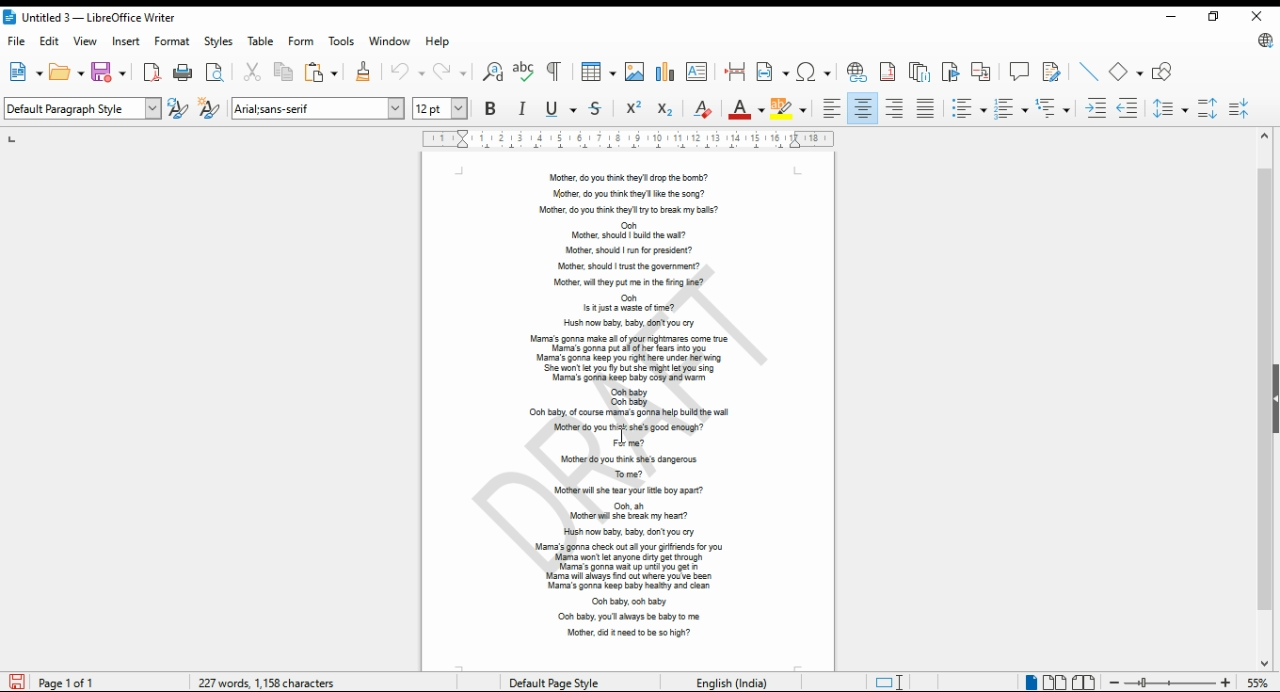  Describe the element at coordinates (269, 680) in the screenshot. I see `document info` at that location.